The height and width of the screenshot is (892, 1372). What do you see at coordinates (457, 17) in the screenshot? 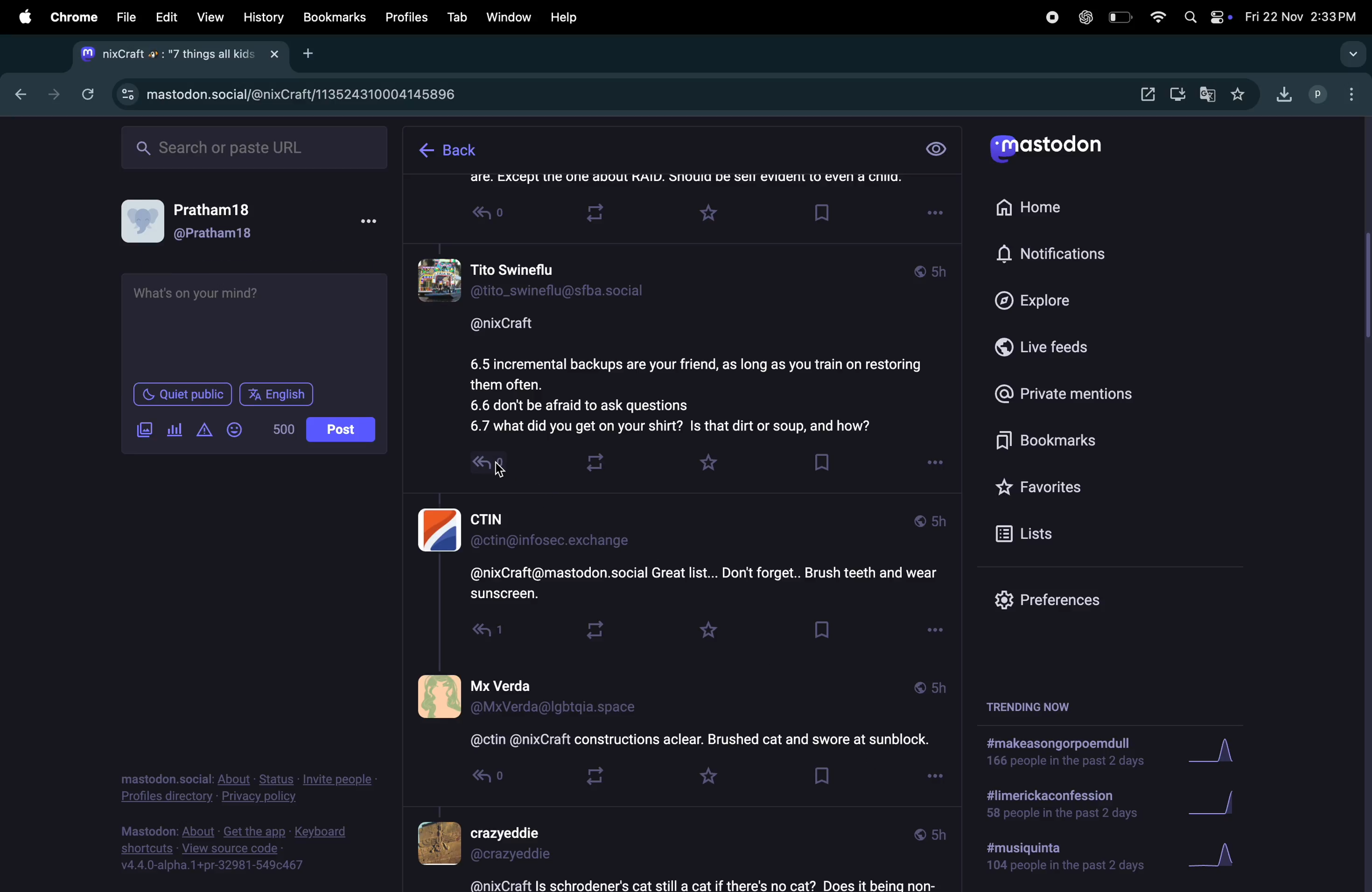
I see `tab` at bounding box center [457, 17].